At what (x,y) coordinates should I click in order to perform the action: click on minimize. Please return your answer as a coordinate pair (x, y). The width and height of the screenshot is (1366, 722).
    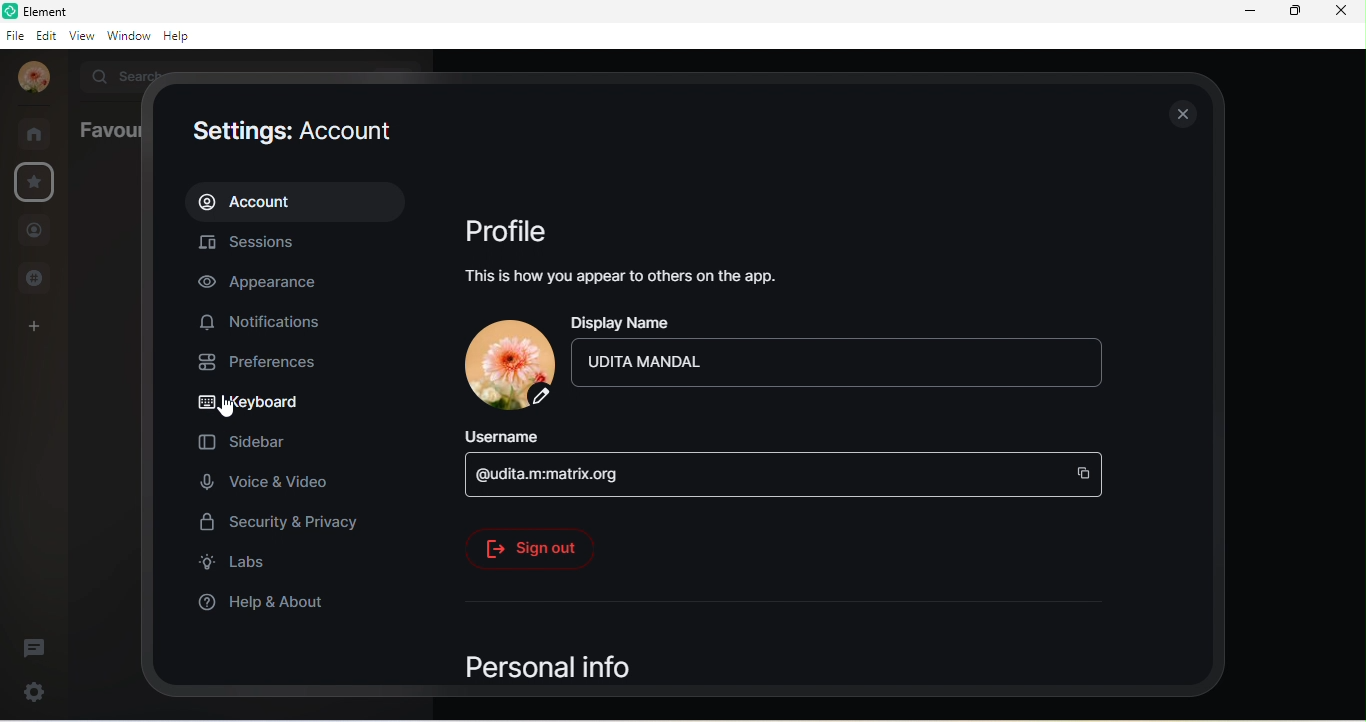
    Looking at the image, I should click on (1250, 11).